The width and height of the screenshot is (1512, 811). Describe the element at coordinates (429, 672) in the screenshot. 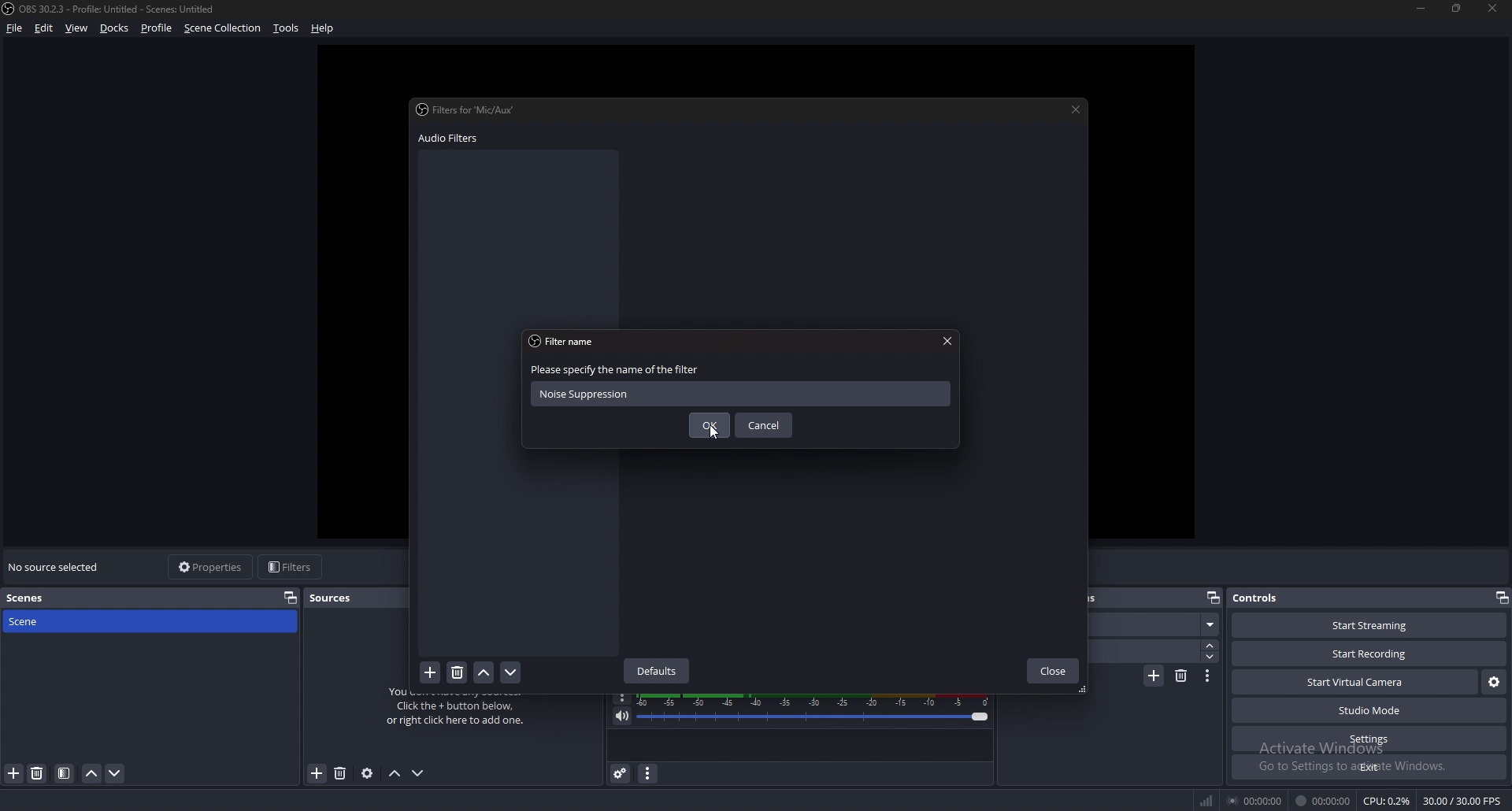

I see `add filter` at that location.